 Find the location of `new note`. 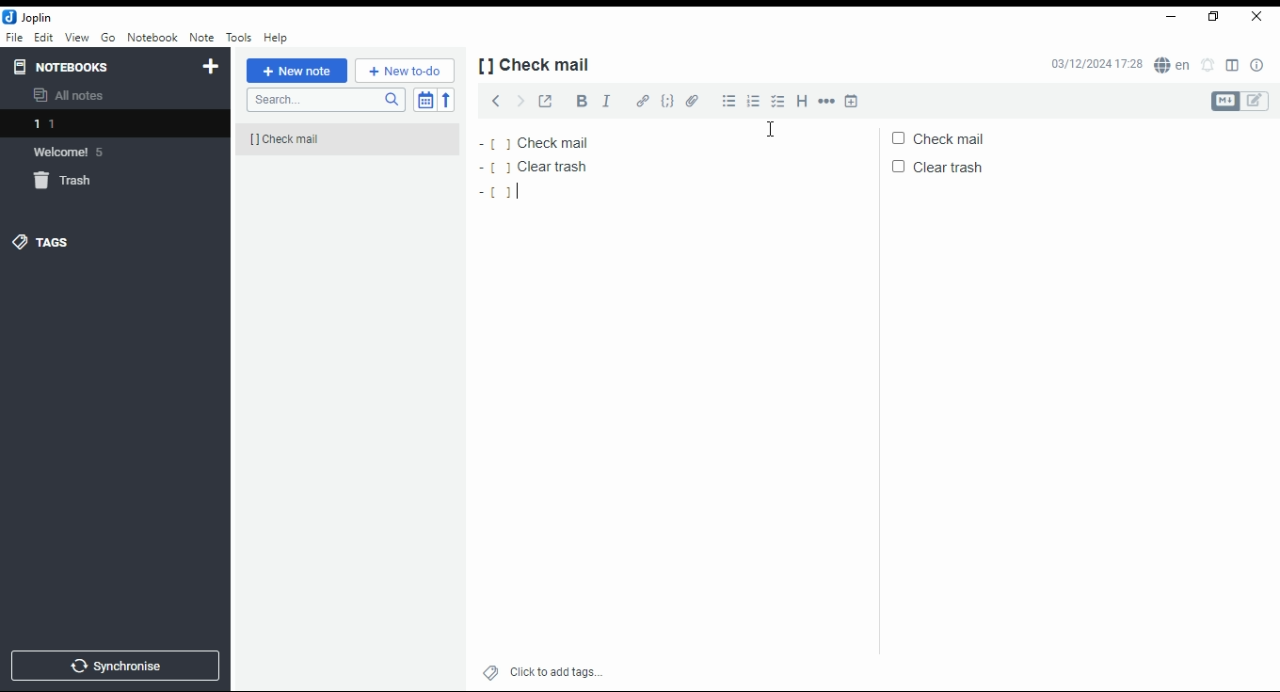

new note is located at coordinates (297, 71).